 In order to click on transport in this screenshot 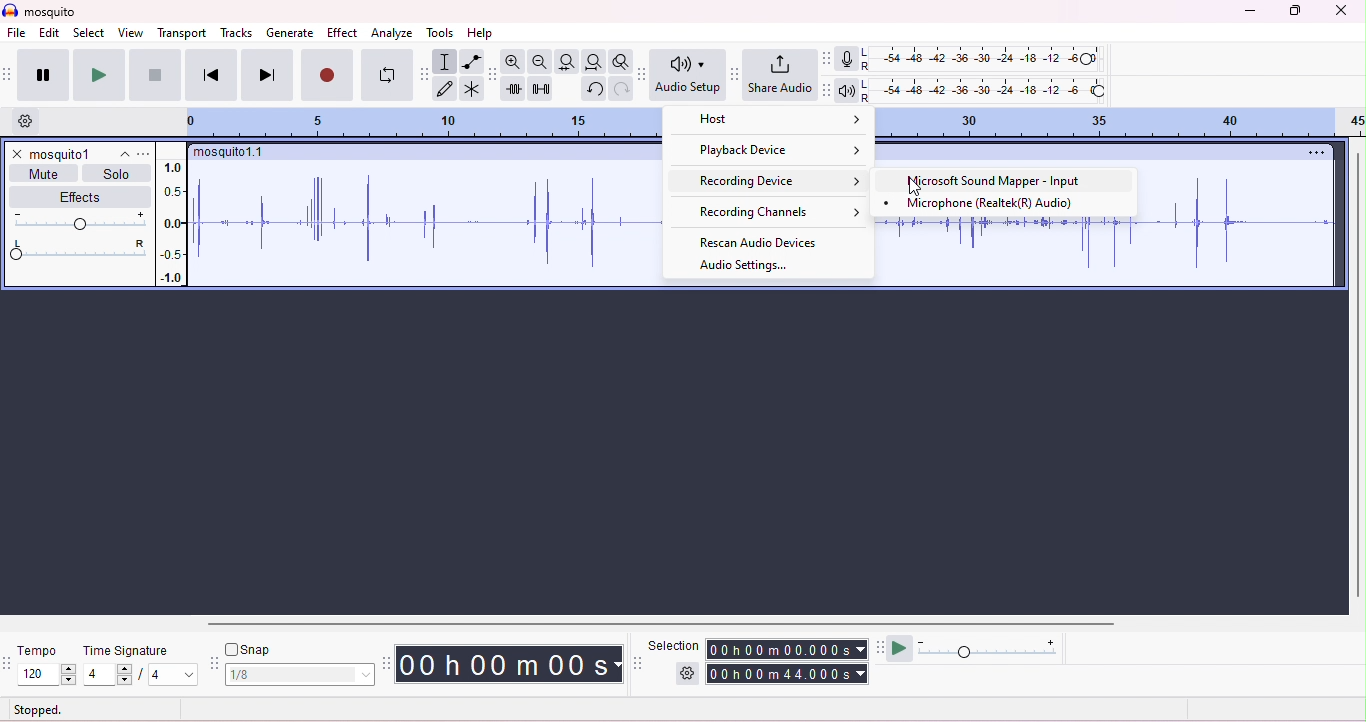, I will do `click(184, 33)`.